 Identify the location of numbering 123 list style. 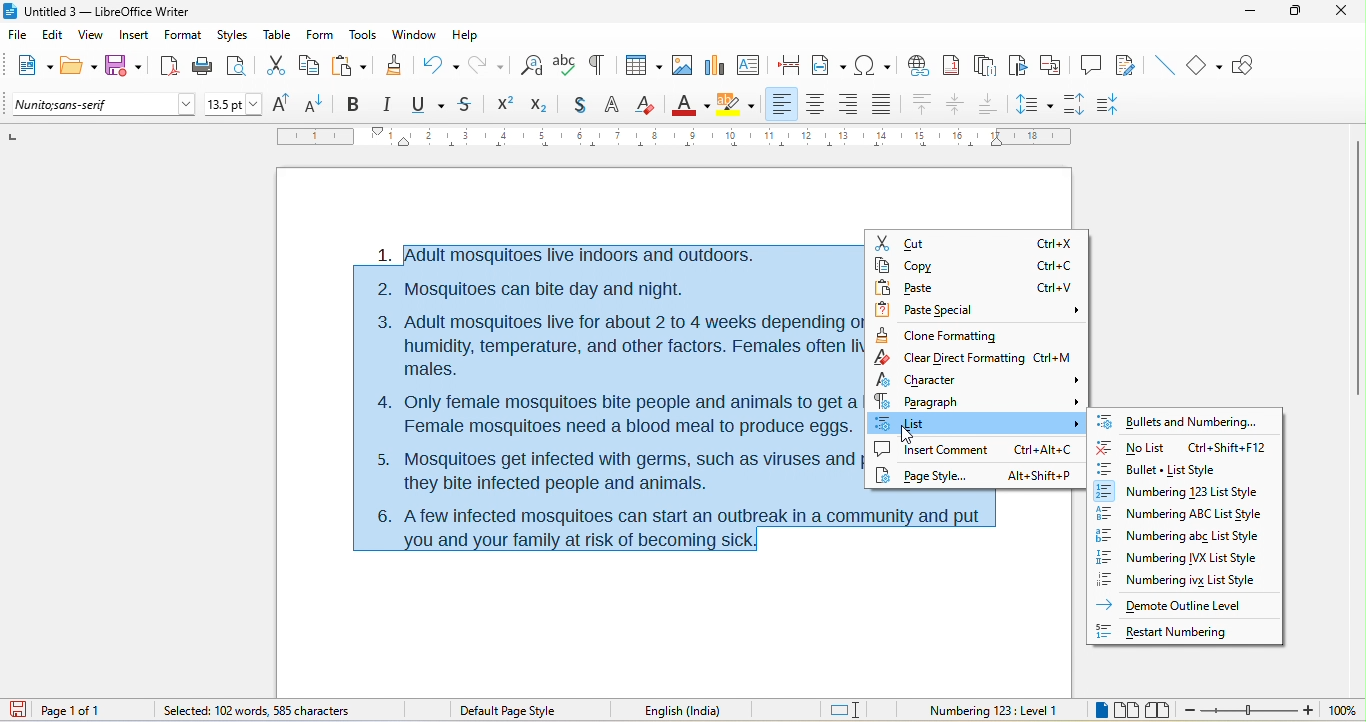
(1186, 492).